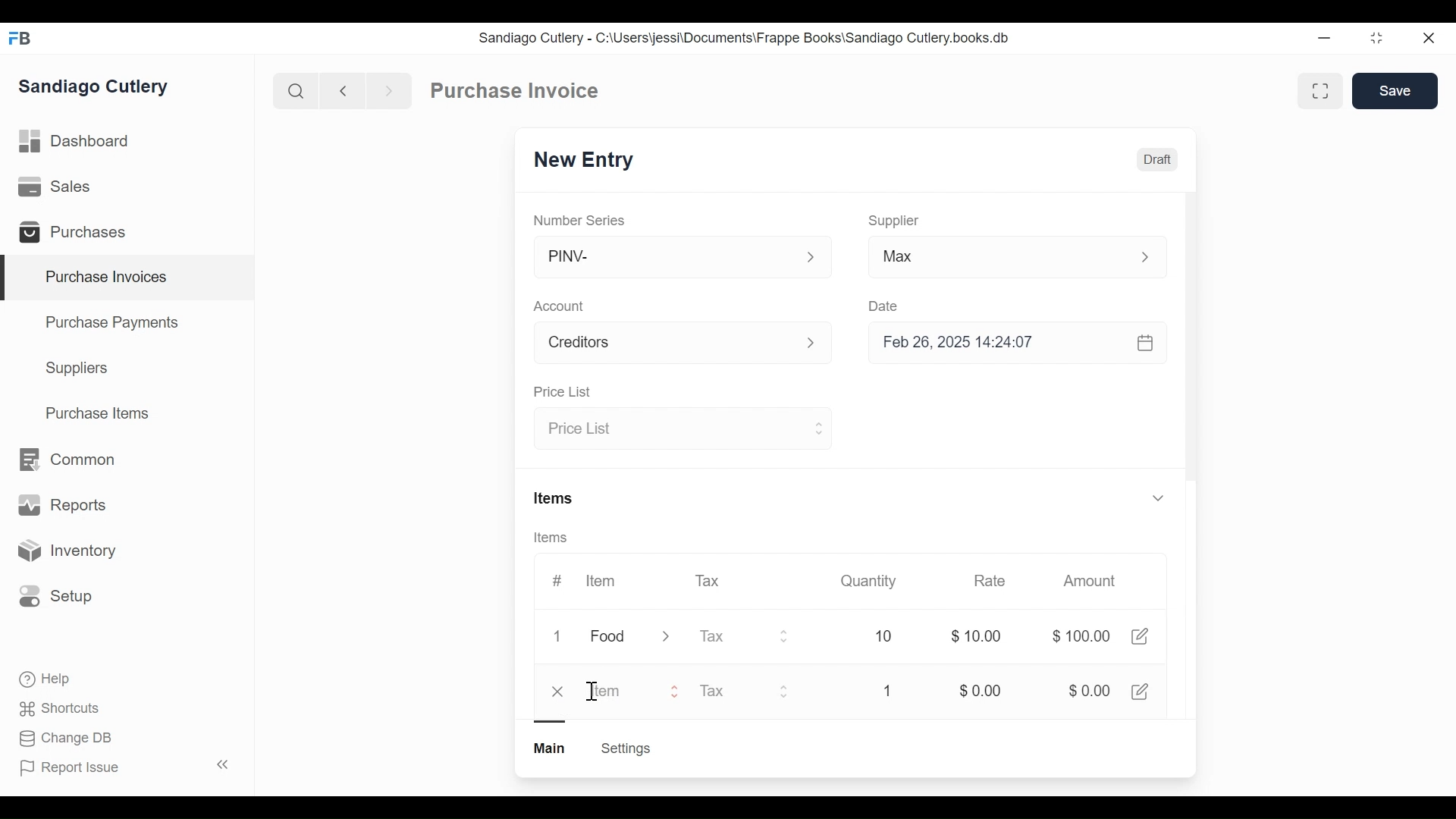  What do you see at coordinates (1144, 690) in the screenshot?
I see `Edit` at bounding box center [1144, 690].